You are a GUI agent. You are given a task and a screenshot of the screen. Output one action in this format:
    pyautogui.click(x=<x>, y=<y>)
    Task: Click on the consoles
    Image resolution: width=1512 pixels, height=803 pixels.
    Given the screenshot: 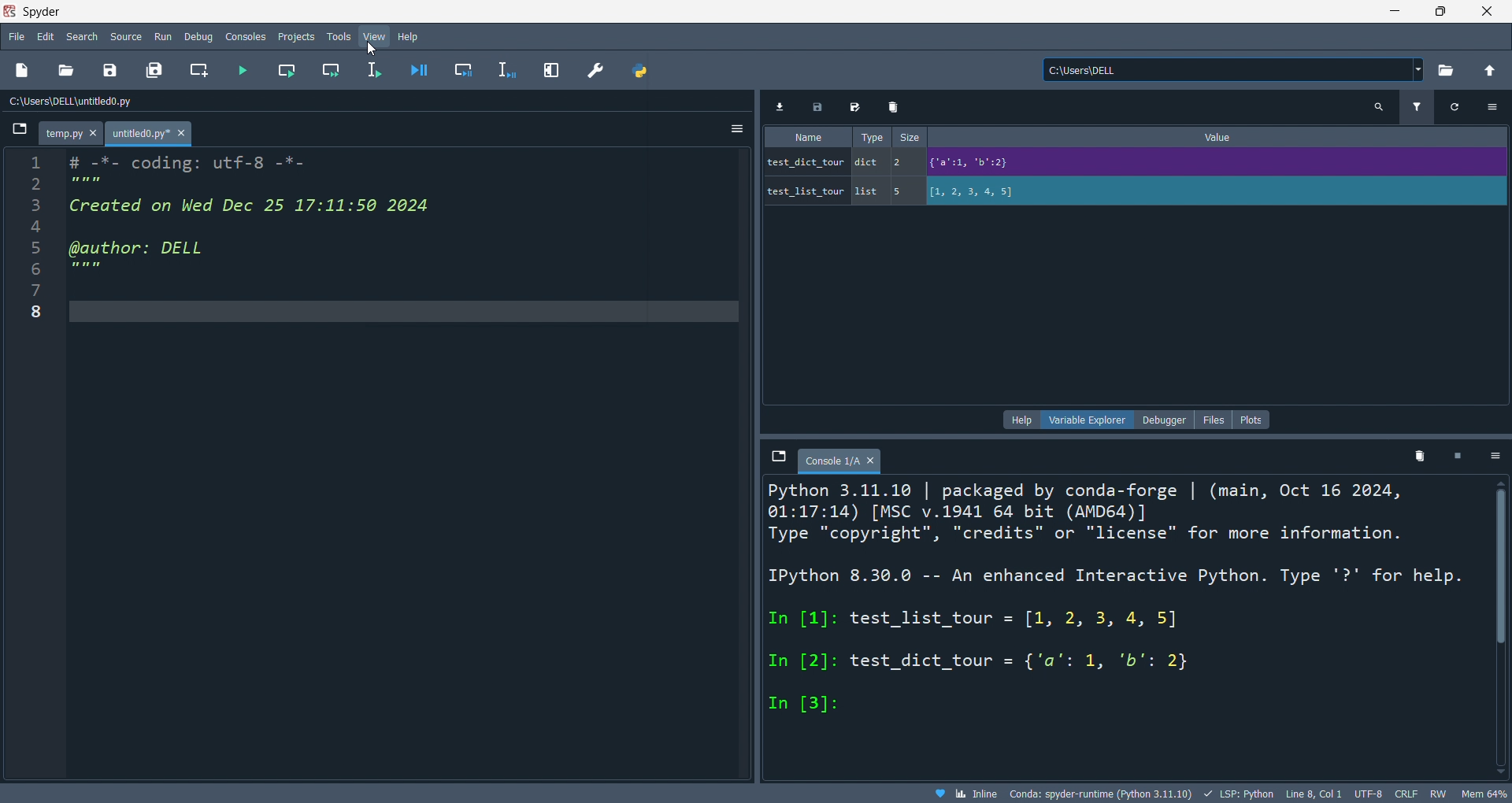 What is the action you would take?
    pyautogui.click(x=248, y=35)
    